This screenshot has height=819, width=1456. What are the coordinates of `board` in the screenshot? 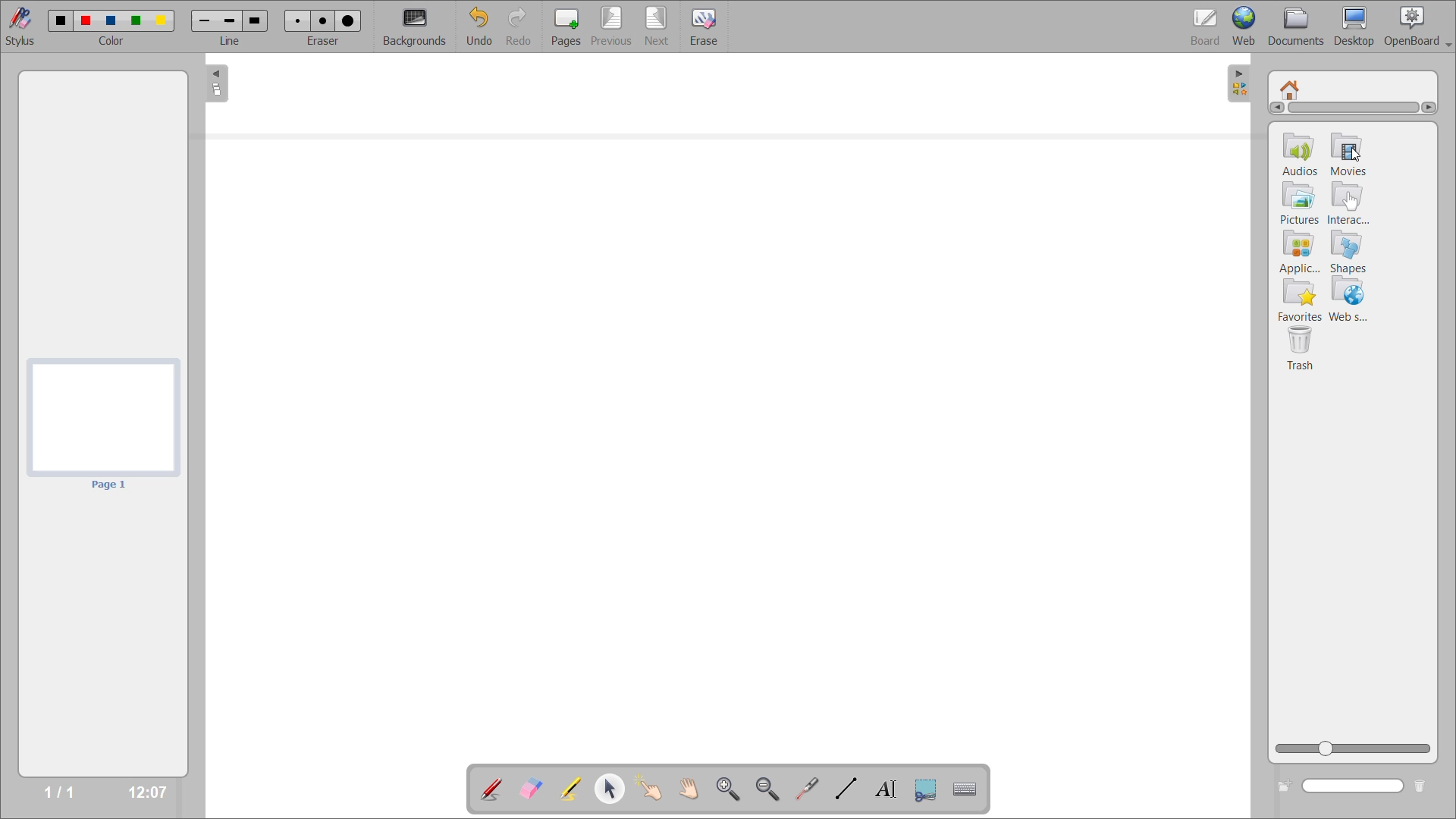 It's located at (1200, 24).